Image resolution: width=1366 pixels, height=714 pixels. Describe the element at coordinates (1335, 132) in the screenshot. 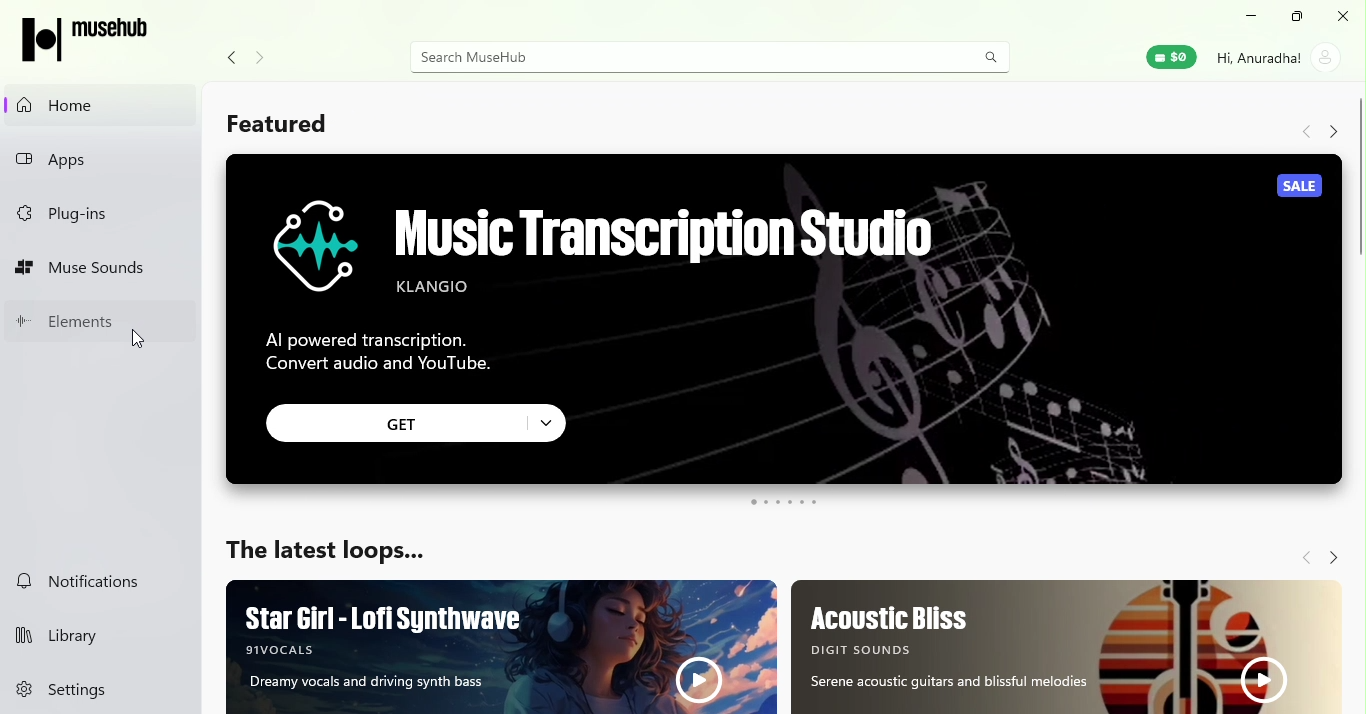

I see `Navigate forward` at that location.